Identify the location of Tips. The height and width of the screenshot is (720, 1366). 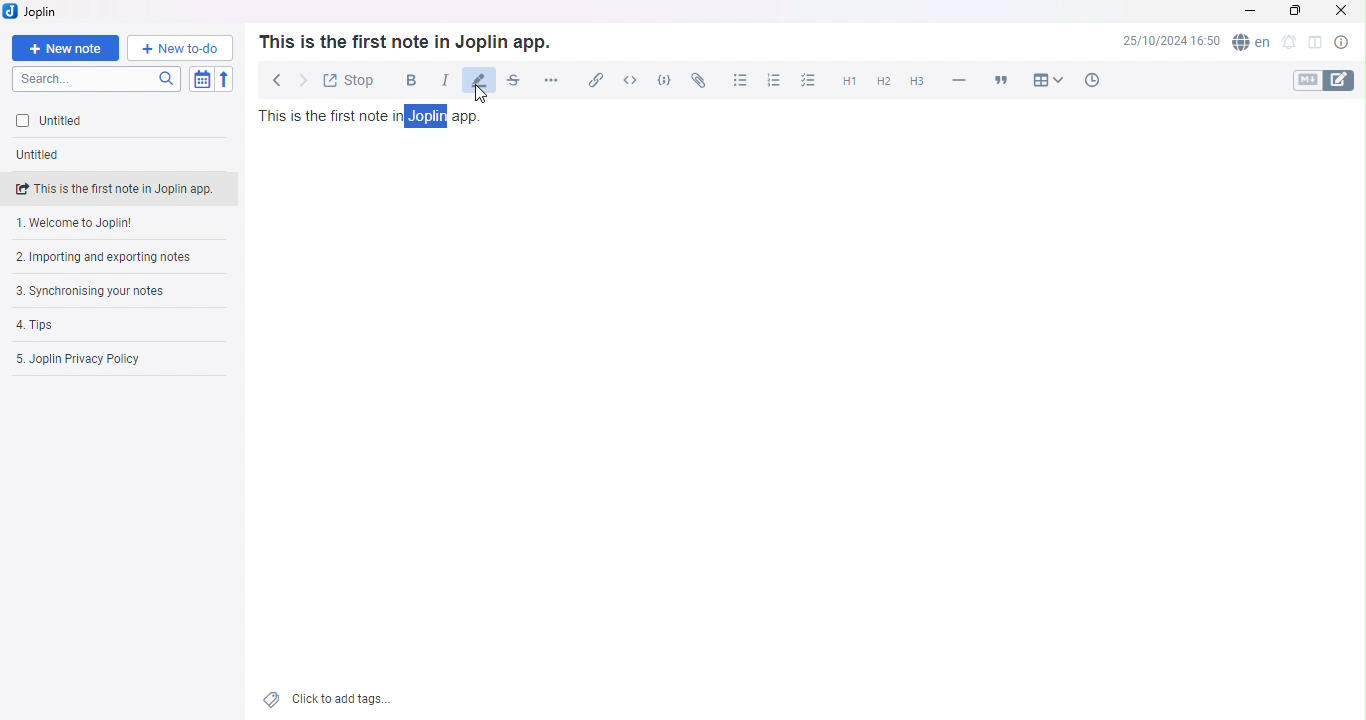
(94, 325).